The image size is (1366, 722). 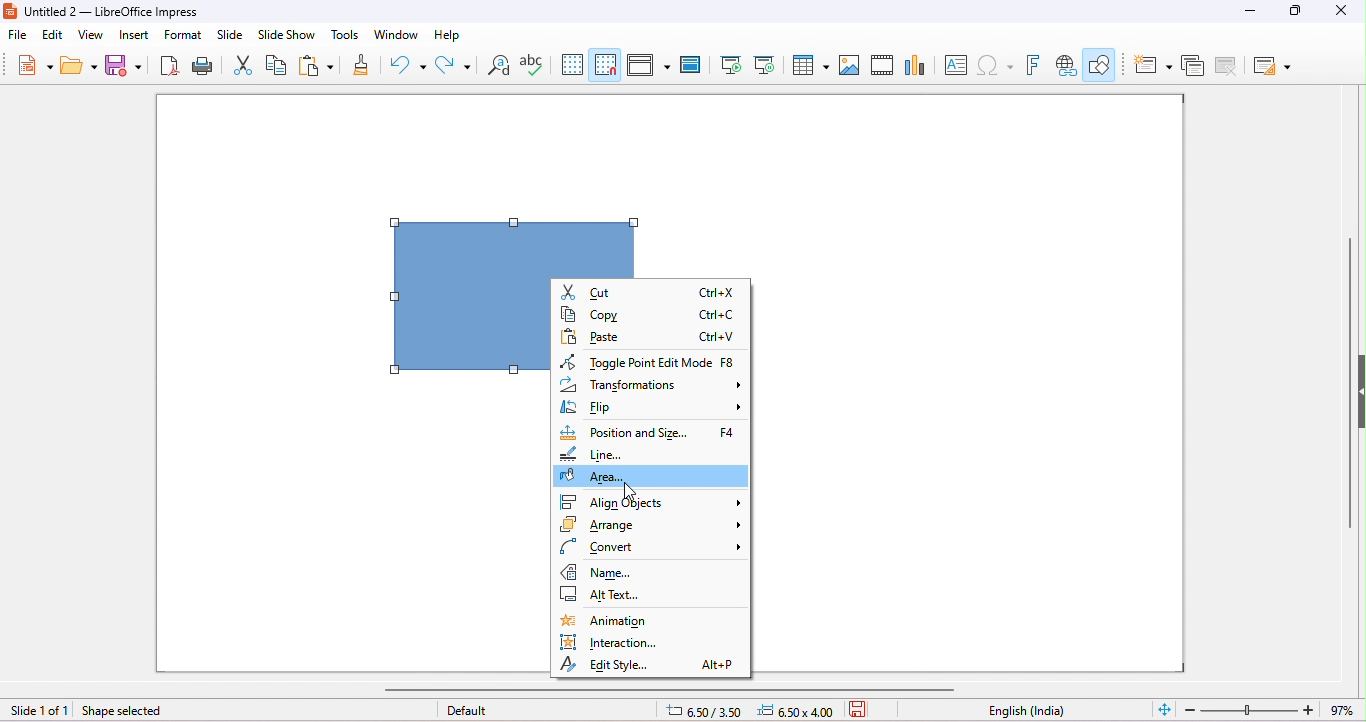 I want to click on cut, so click(x=243, y=64).